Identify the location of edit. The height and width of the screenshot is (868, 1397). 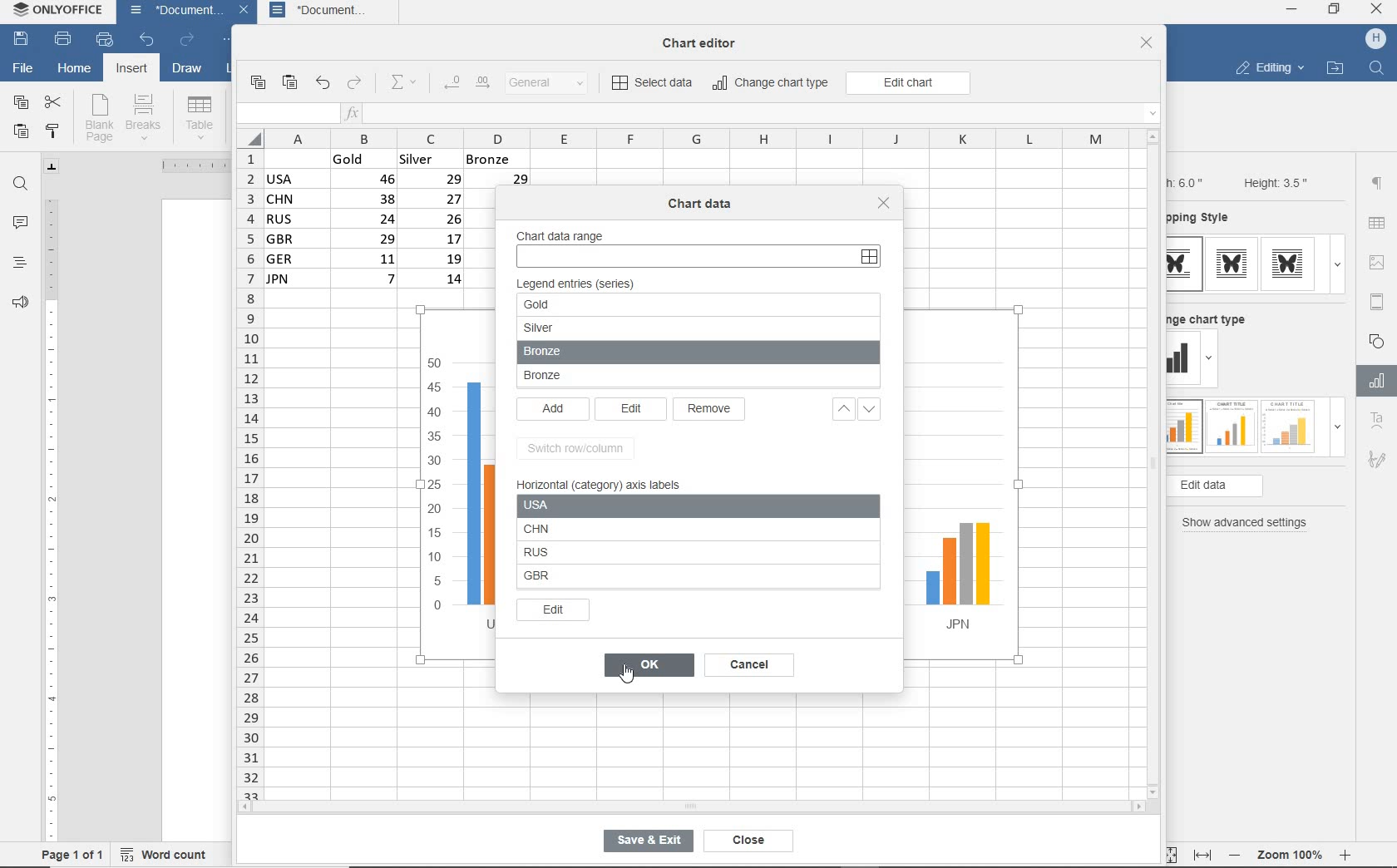
(632, 409).